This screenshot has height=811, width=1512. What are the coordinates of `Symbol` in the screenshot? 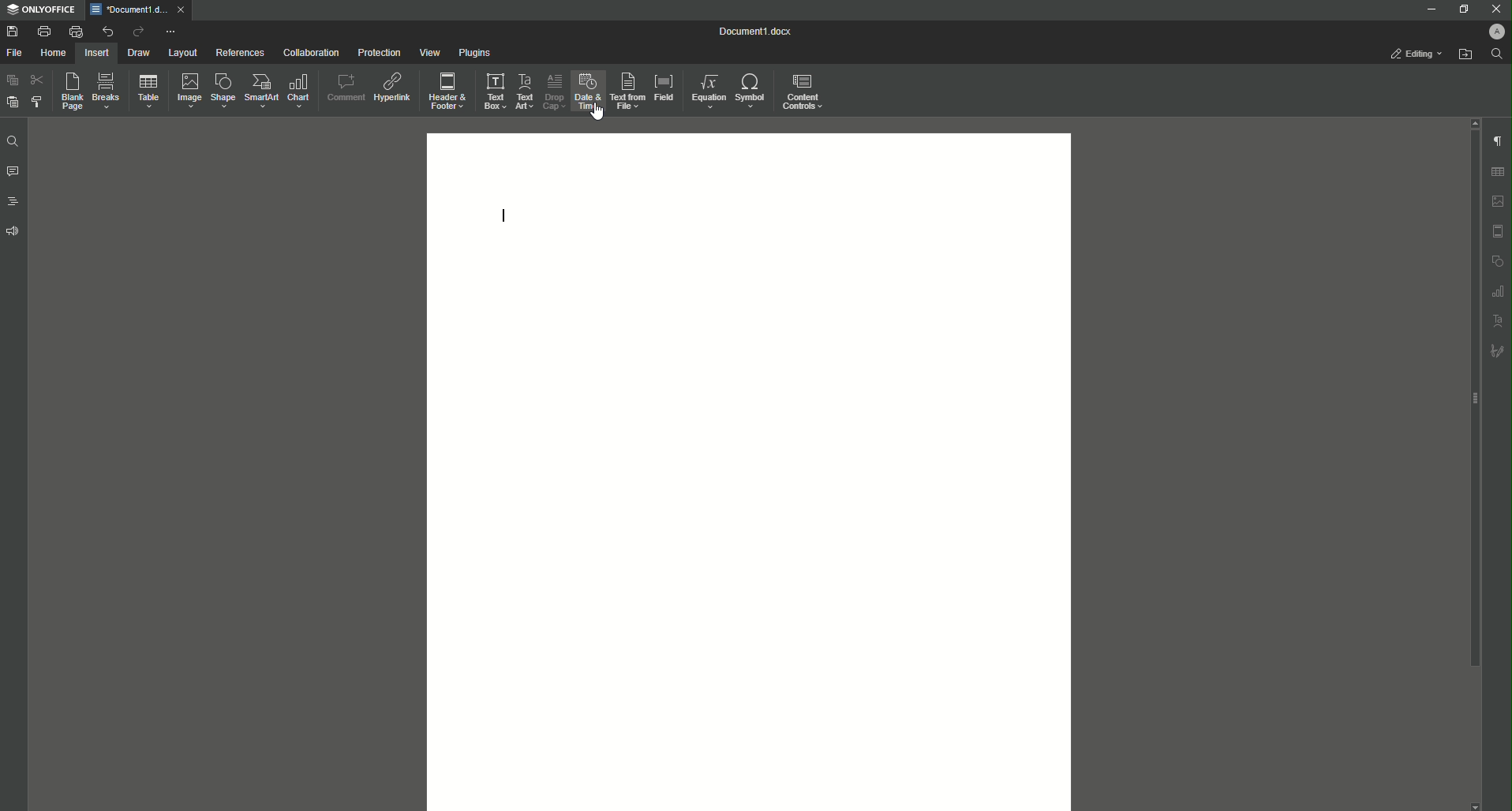 It's located at (752, 92).